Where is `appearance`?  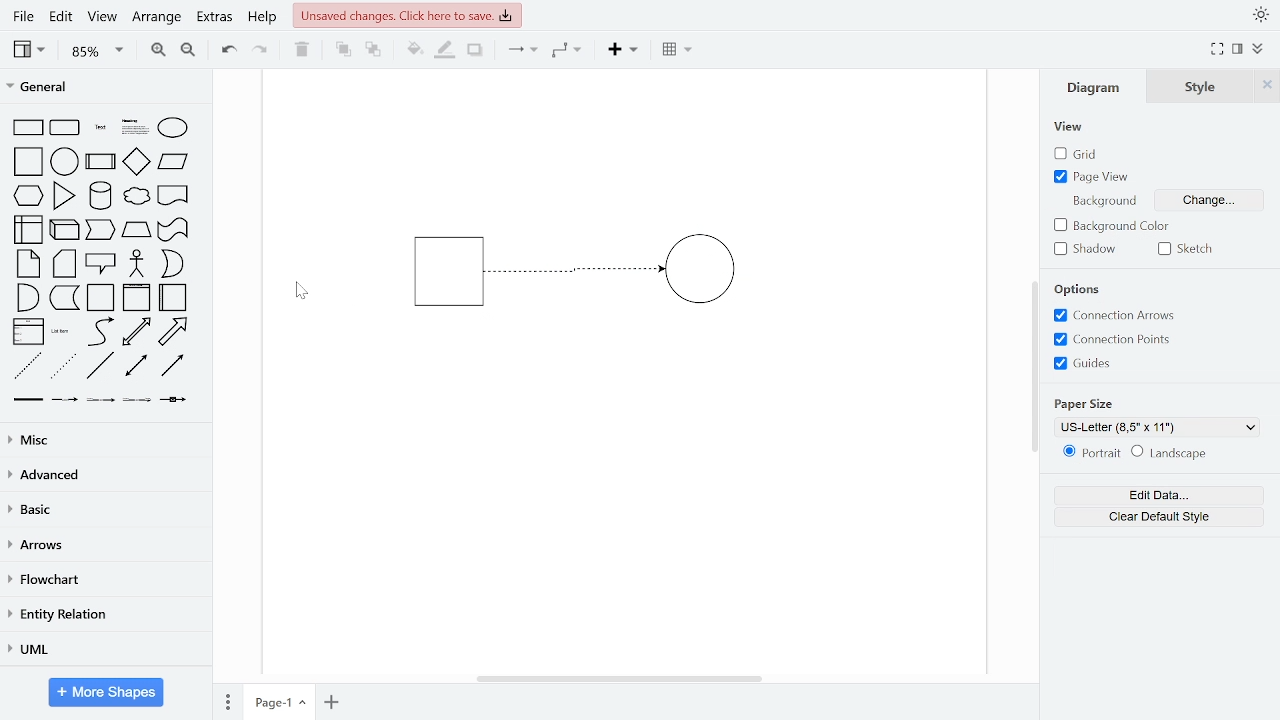
appearance is located at coordinates (1260, 15).